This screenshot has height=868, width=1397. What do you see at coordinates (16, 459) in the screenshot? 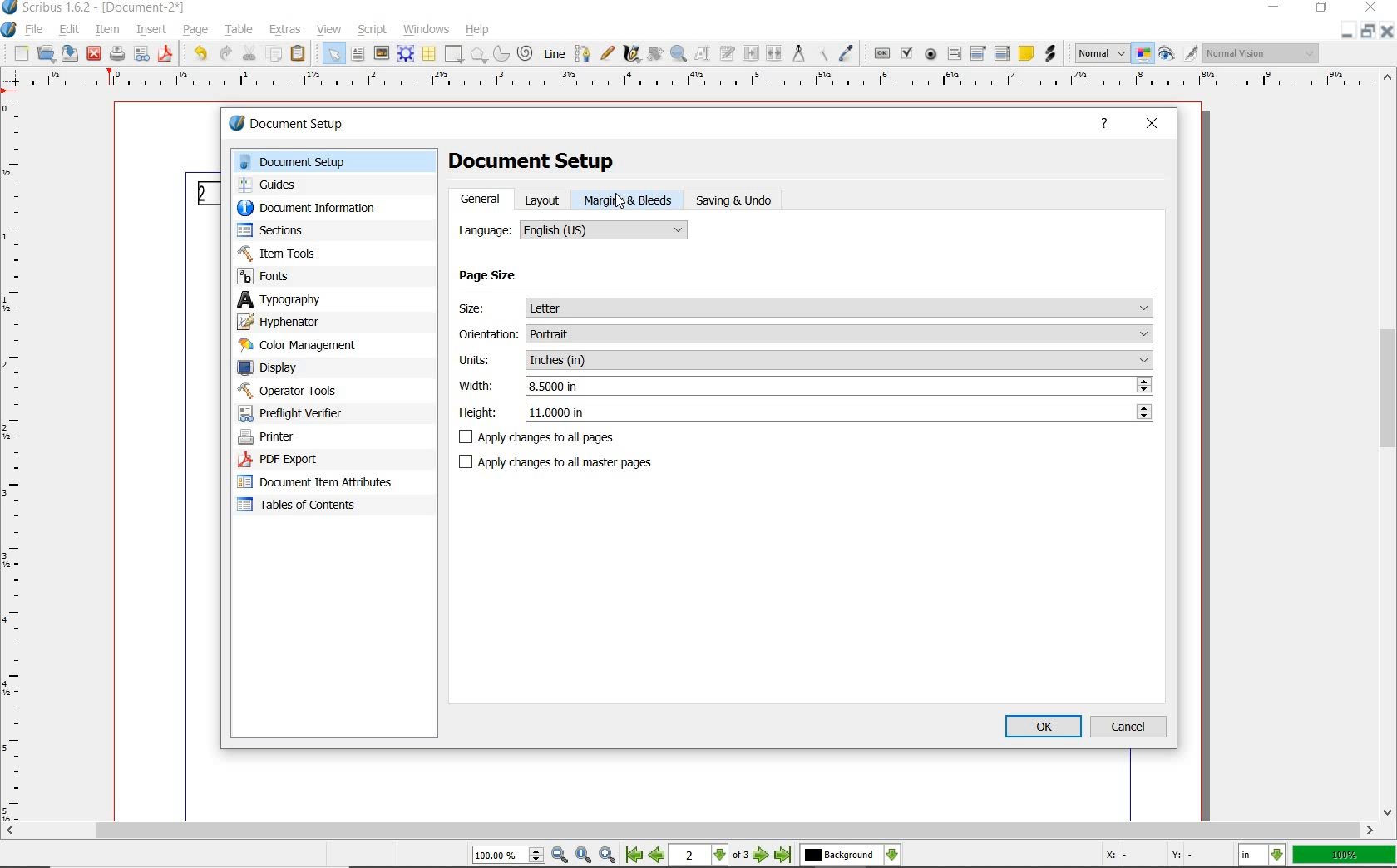
I see `Vertical Margin` at bounding box center [16, 459].